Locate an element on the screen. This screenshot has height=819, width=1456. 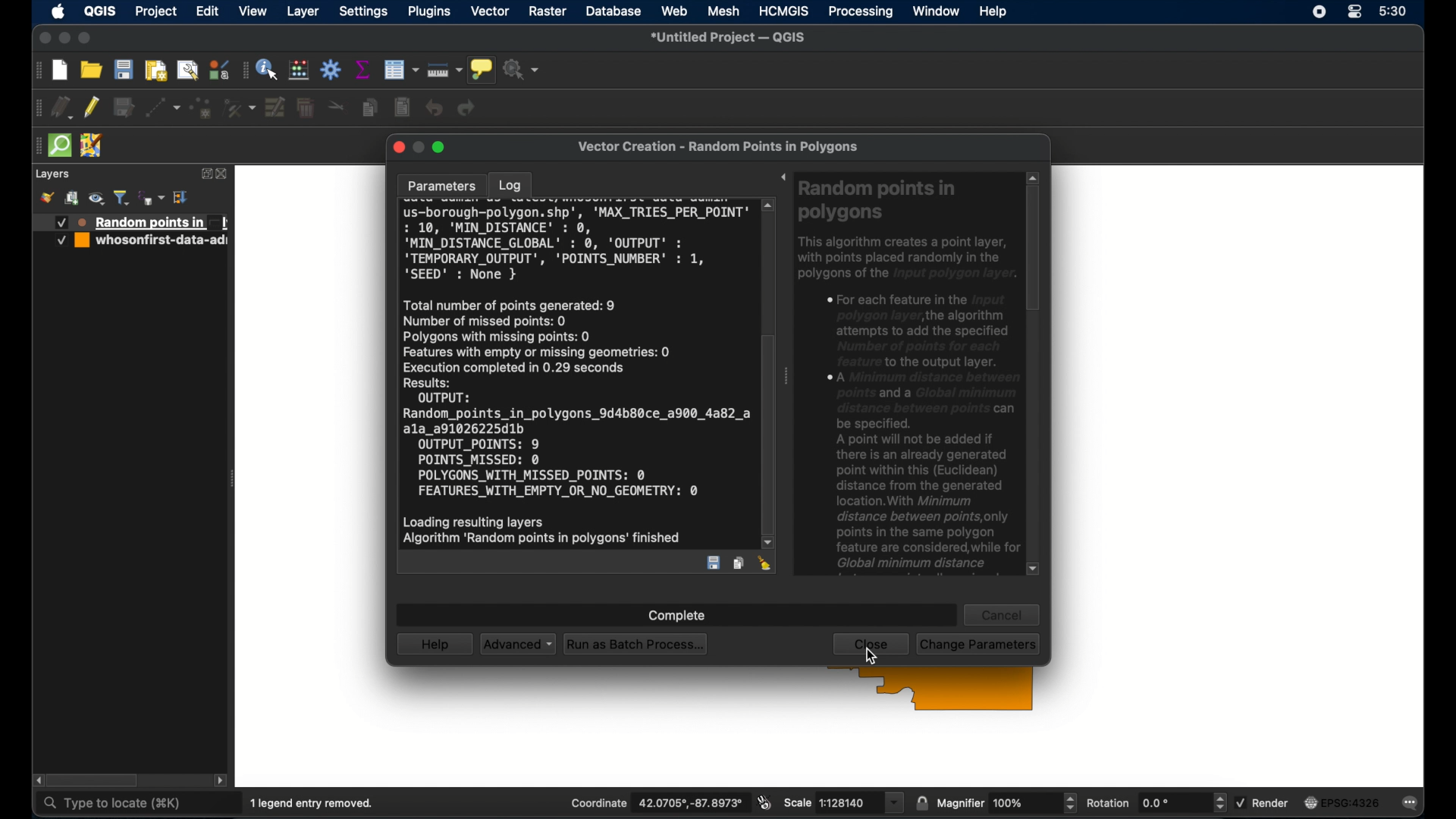
log entry is located at coordinates (575, 374).